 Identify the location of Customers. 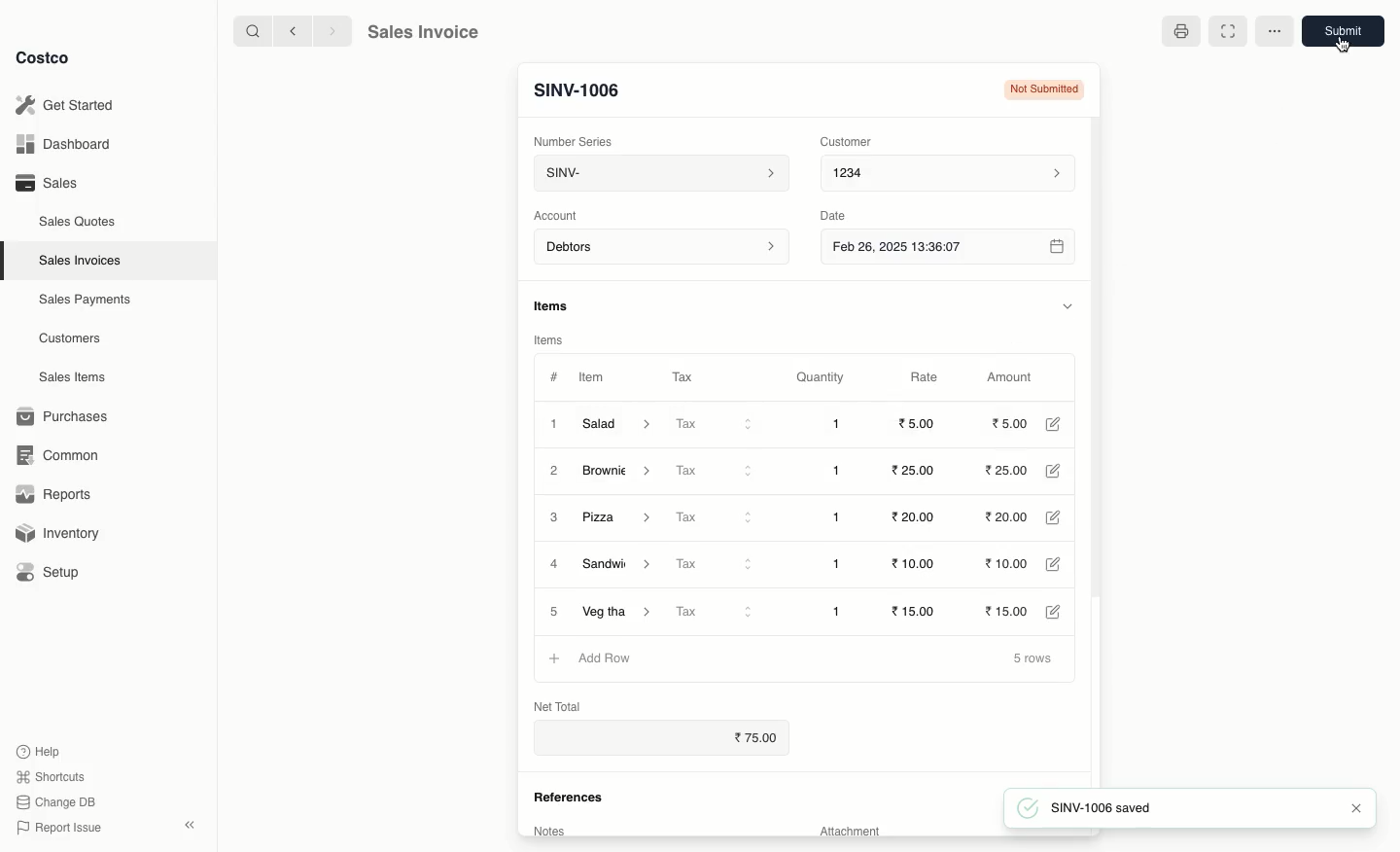
(70, 337).